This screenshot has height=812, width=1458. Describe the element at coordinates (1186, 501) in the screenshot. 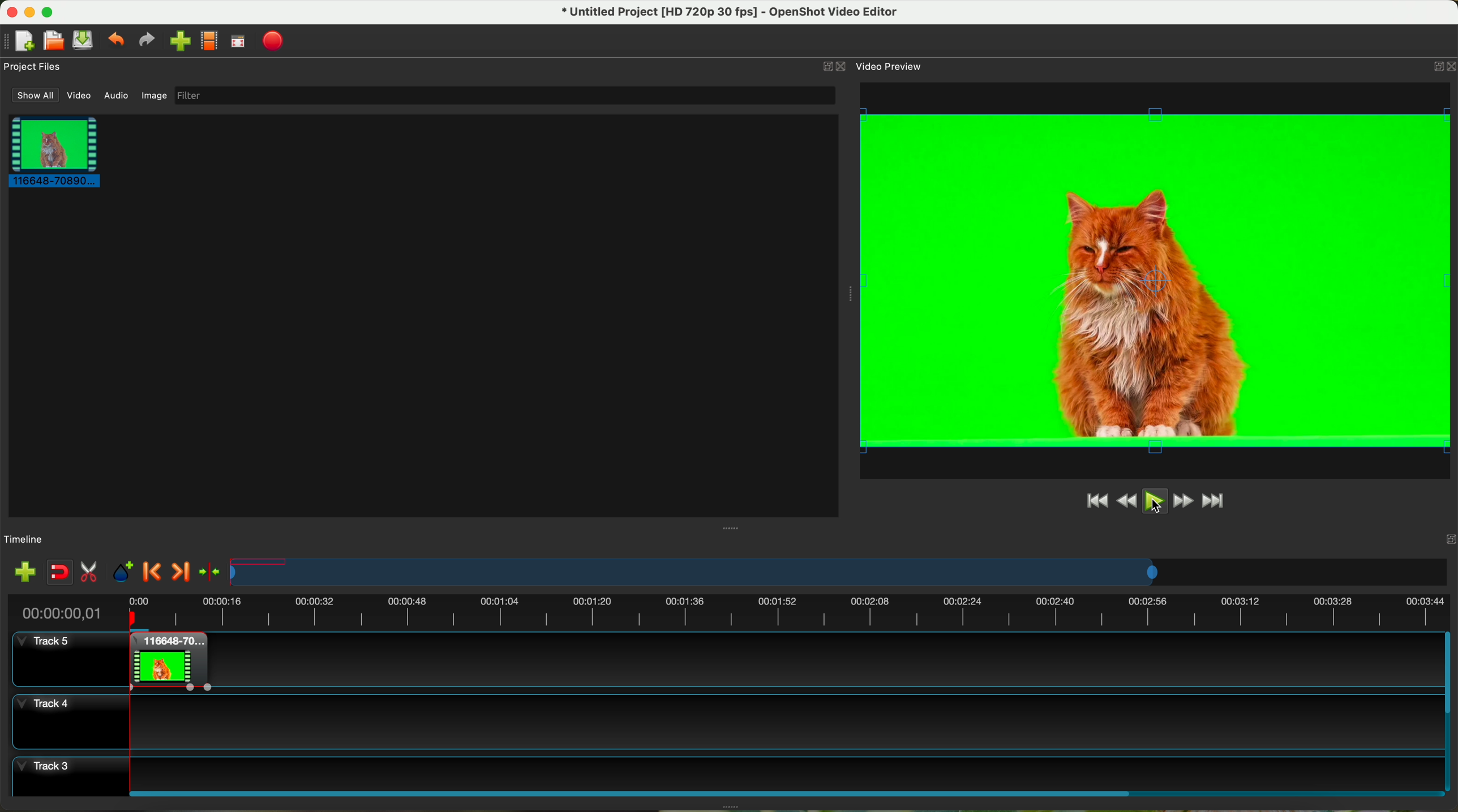

I see `fast foward` at that location.